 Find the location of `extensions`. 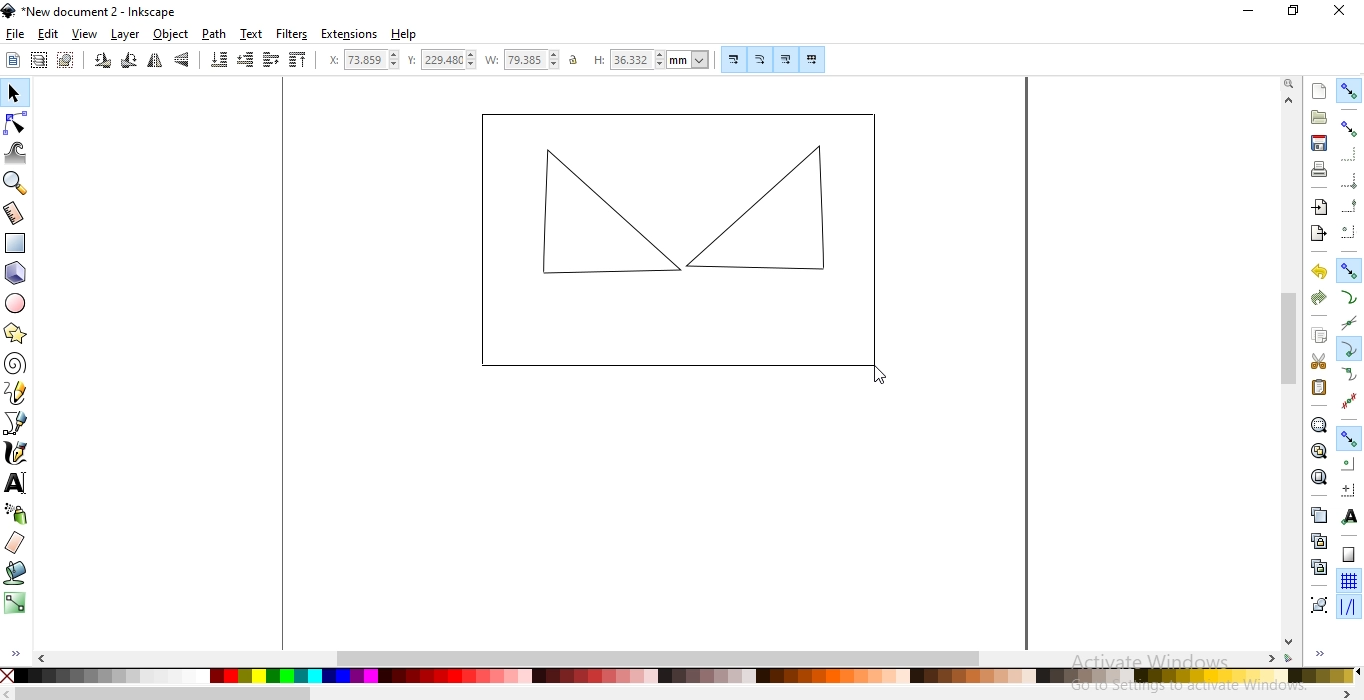

extensions is located at coordinates (350, 35).